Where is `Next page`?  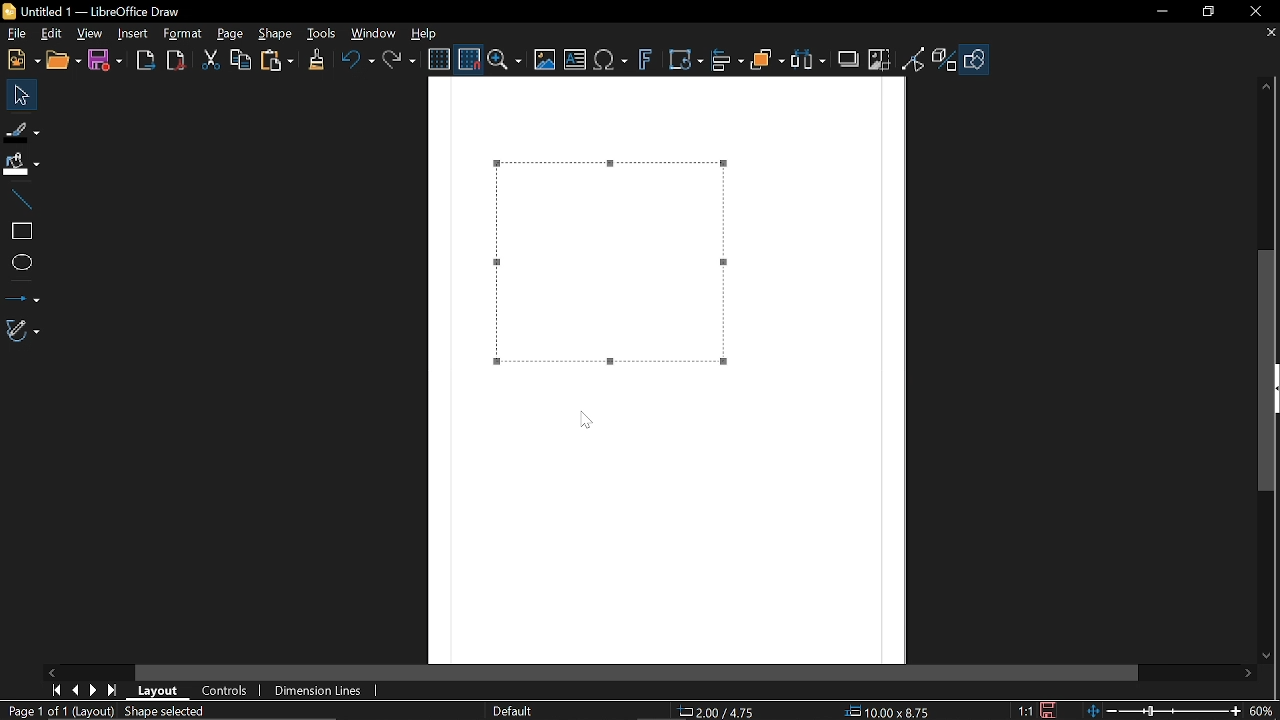
Next page is located at coordinates (97, 689).